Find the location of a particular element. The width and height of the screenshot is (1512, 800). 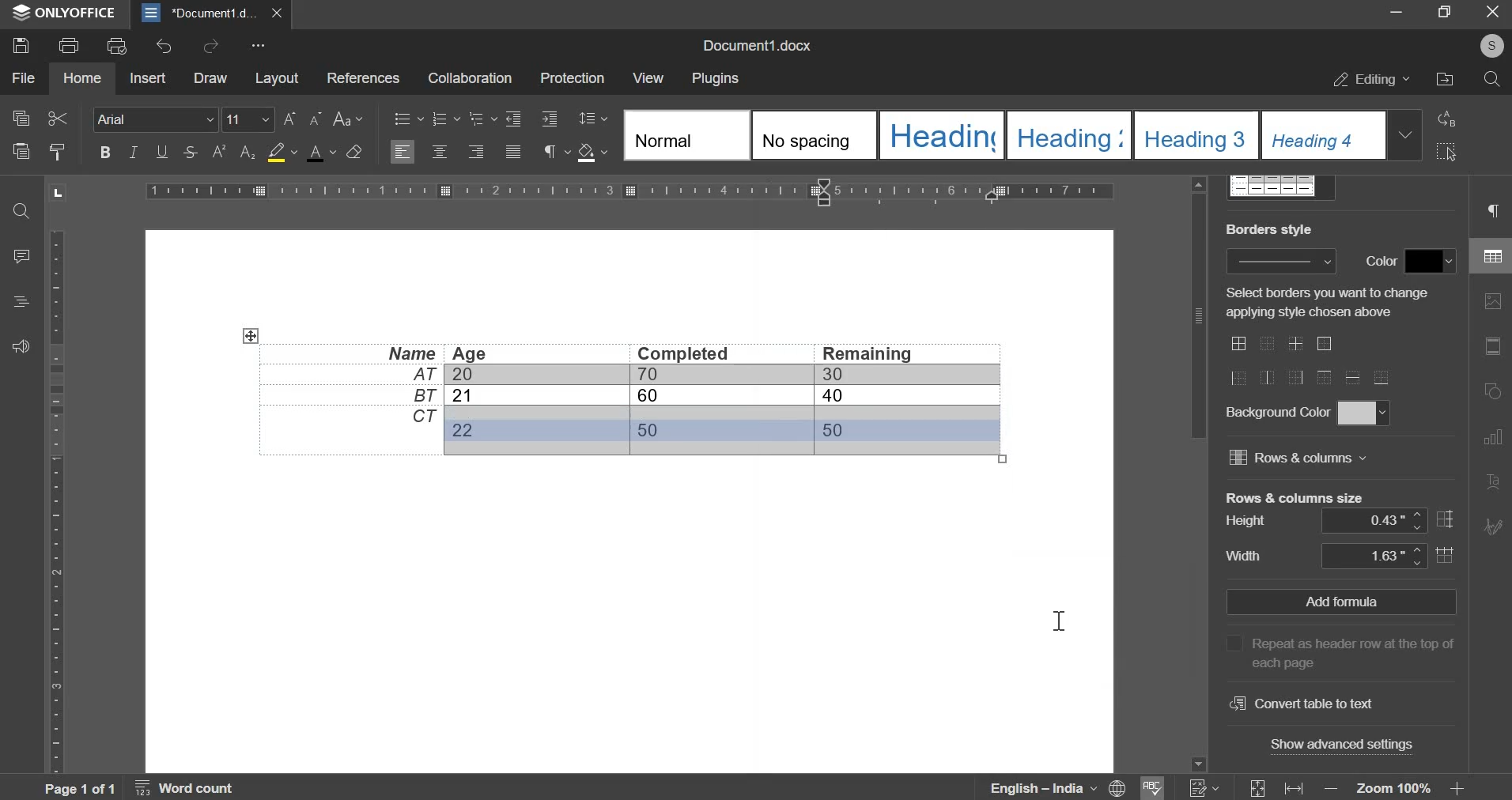

data is located at coordinates (624, 394).